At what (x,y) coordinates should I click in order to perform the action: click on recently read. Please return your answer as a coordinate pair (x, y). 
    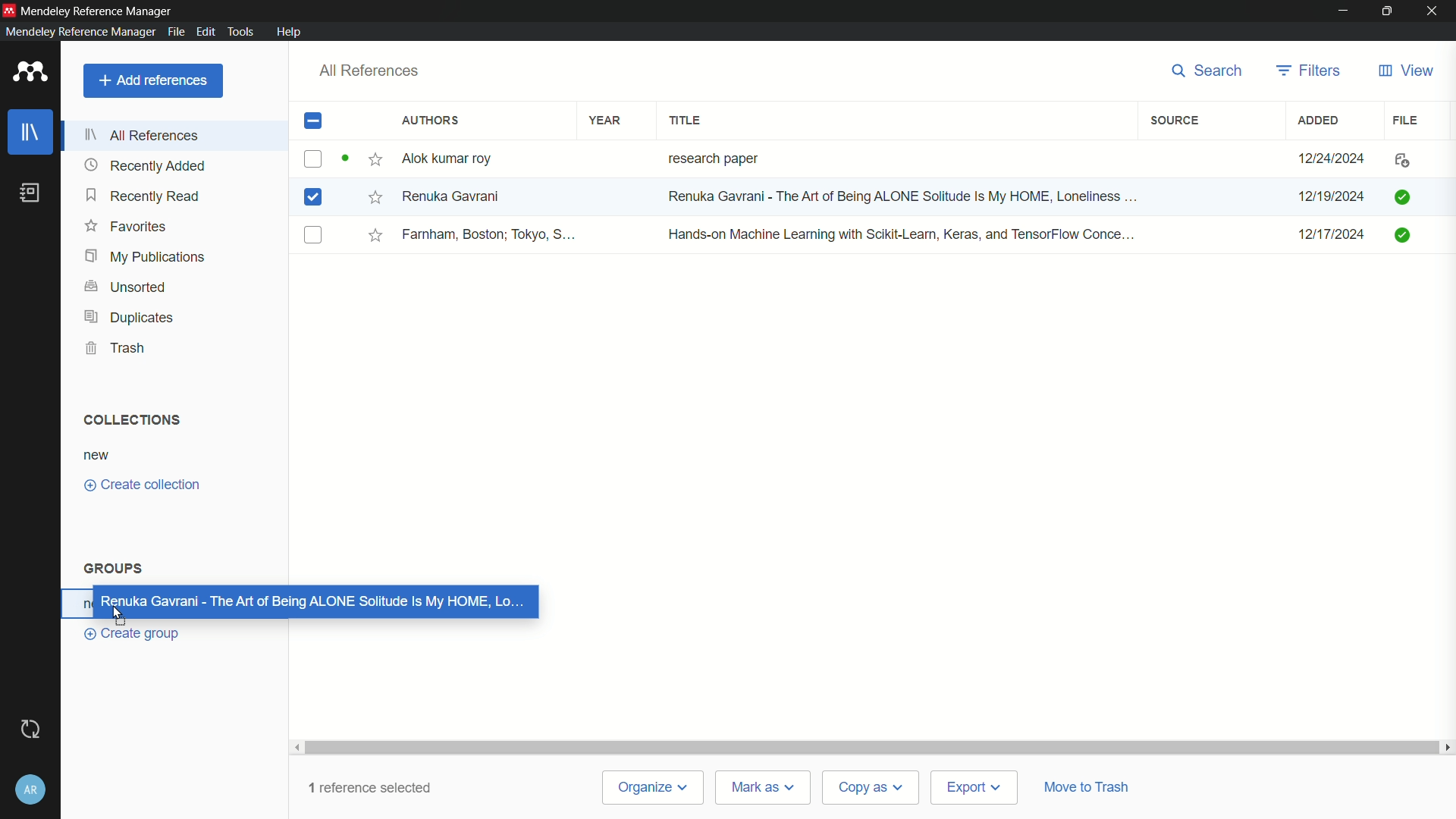
    Looking at the image, I should click on (144, 197).